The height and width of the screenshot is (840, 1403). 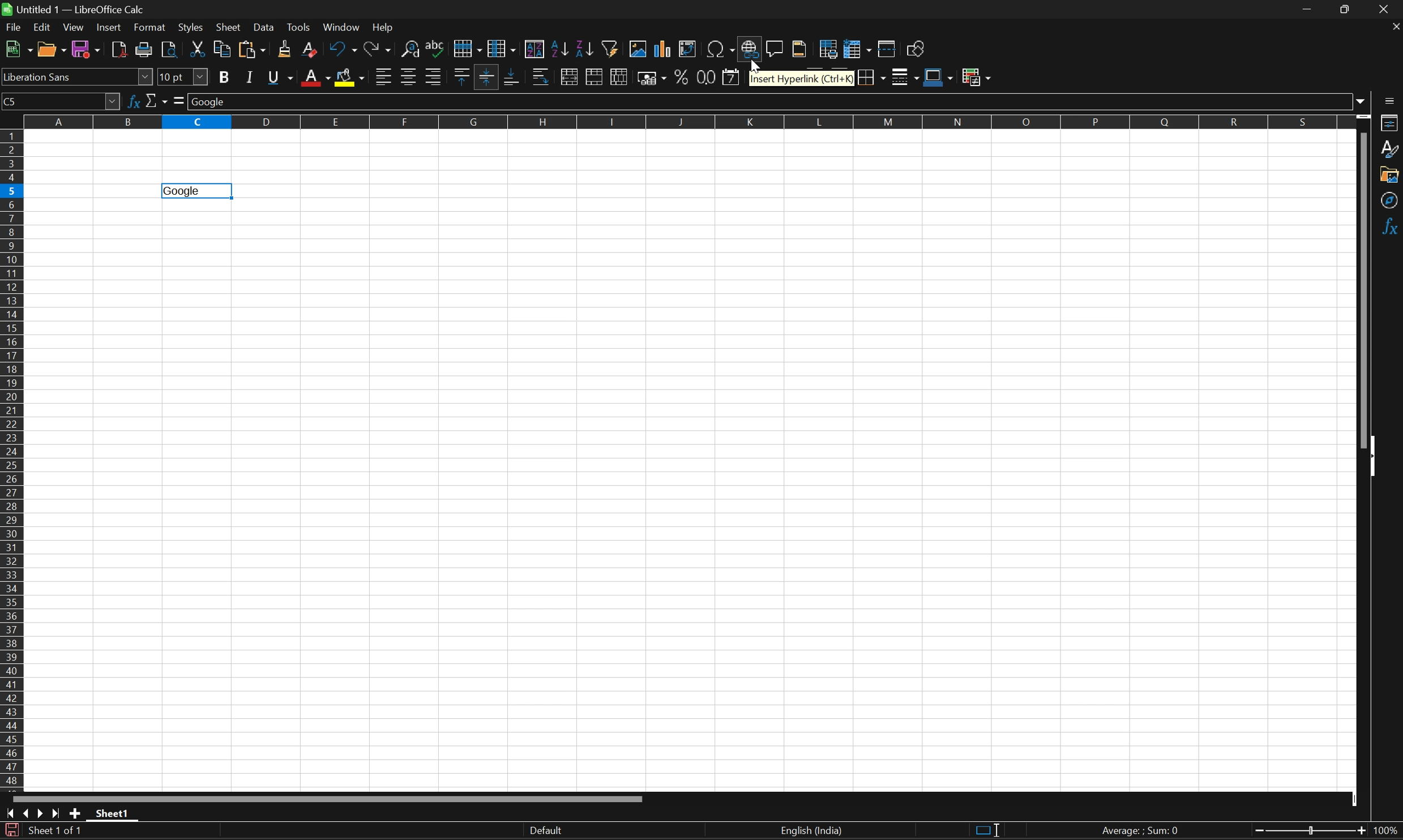 What do you see at coordinates (119, 49) in the screenshot?
I see `Export directly as PDF` at bounding box center [119, 49].